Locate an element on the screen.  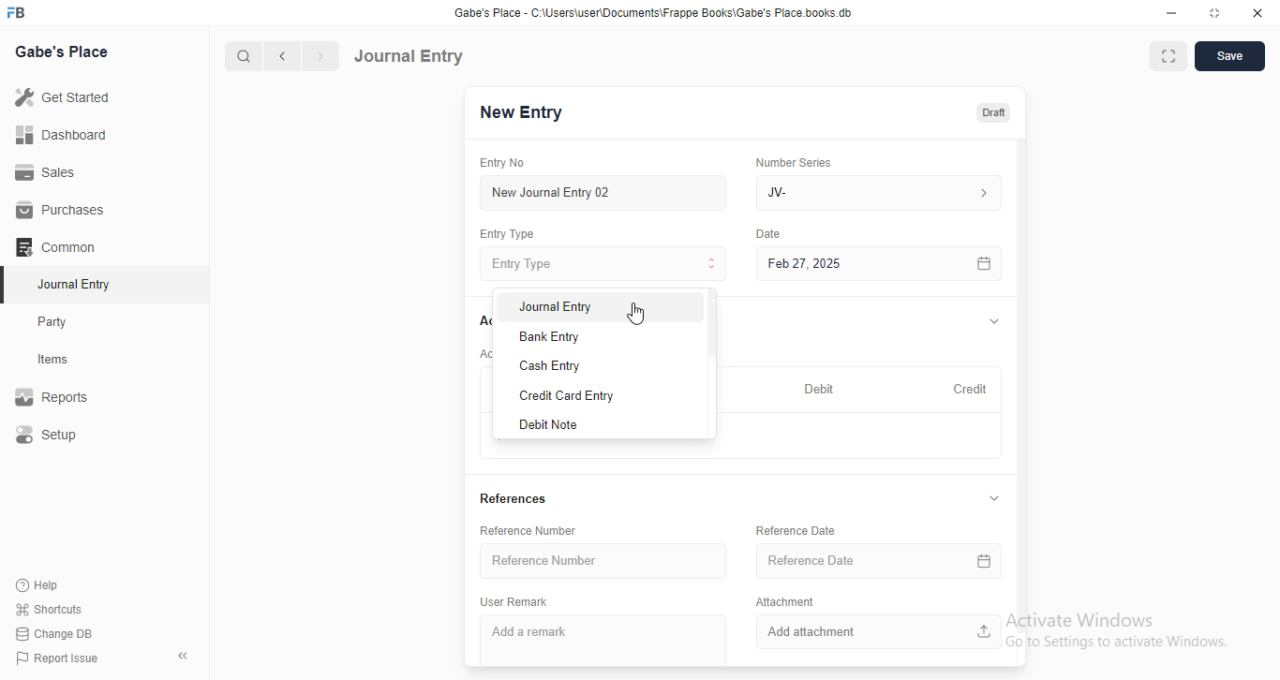
‘Gabe's Place - C Wsers\userDocuments\Frappe Books\Gabe's Place books db is located at coordinates (659, 11).